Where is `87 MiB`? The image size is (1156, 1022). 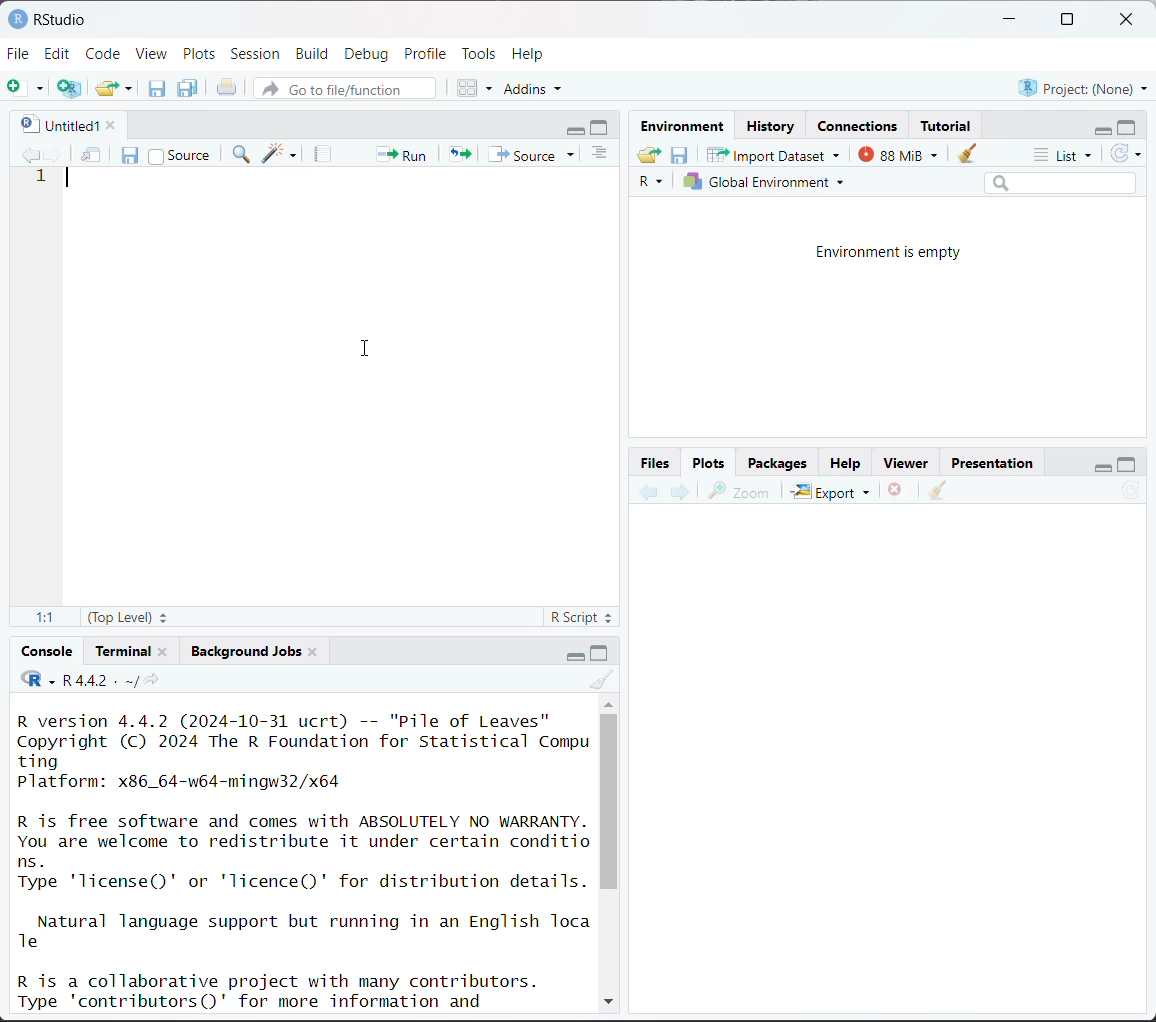 87 MiB is located at coordinates (896, 153).